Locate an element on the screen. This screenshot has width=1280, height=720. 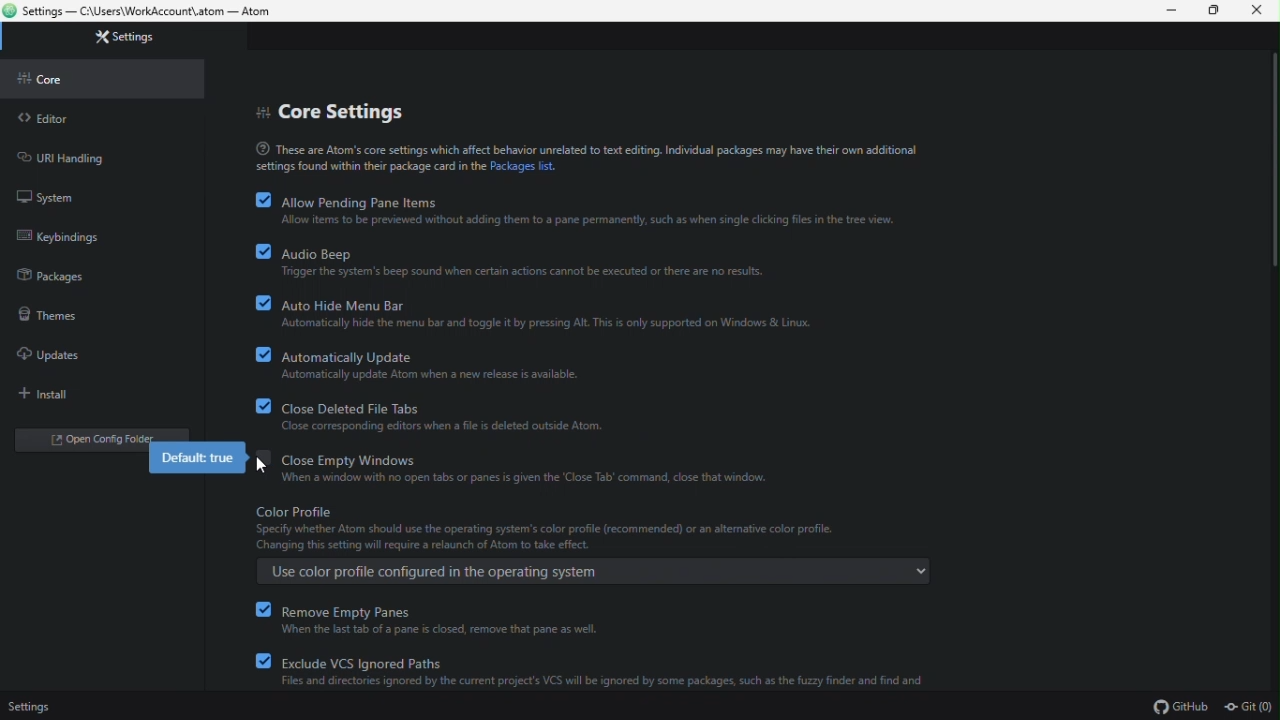
checkbox is located at coordinates (260, 253).